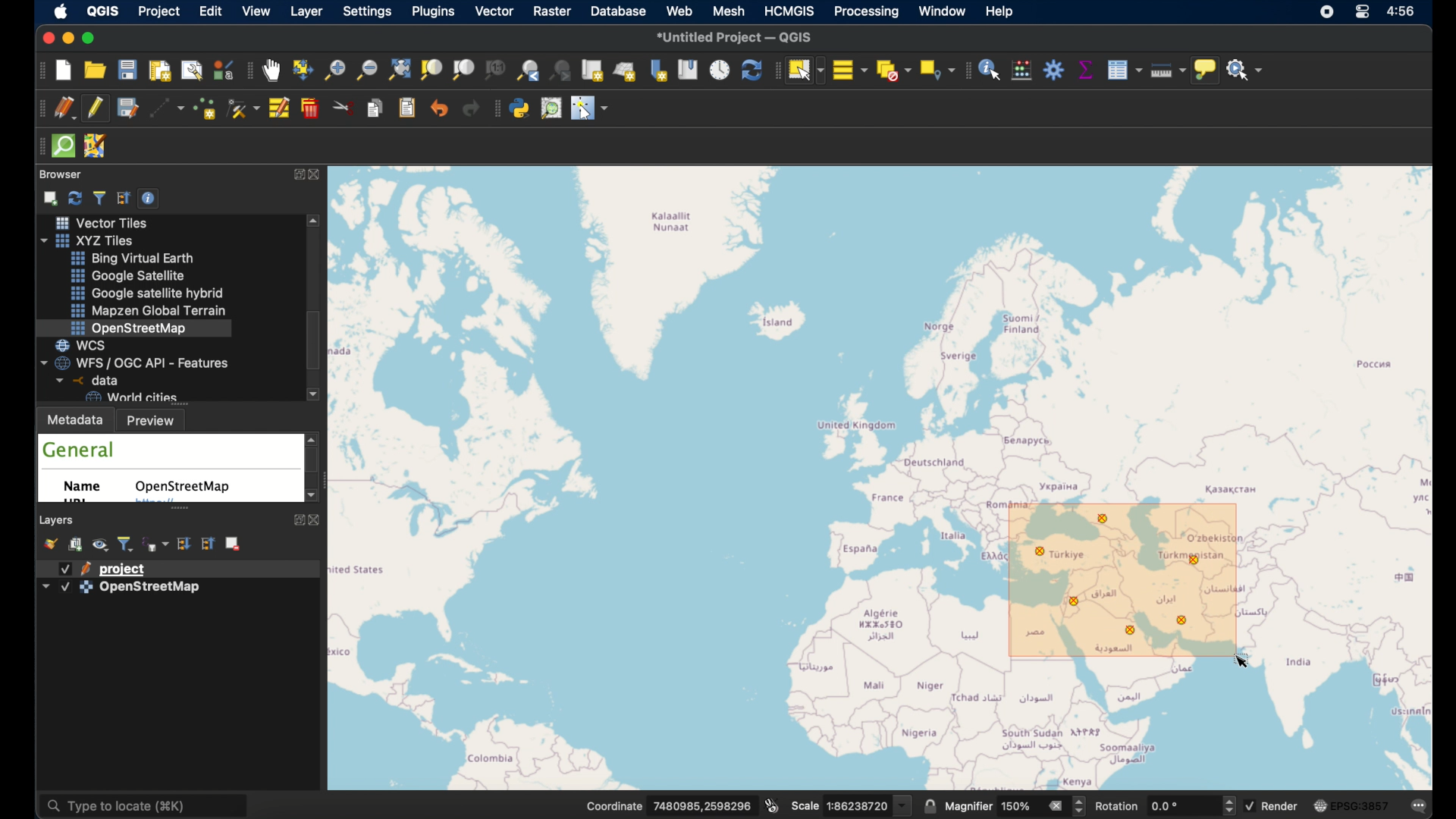 The image size is (1456, 819). Describe the element at coordinates (158, 71) in the screenshot. I see `new print layout` at that location.